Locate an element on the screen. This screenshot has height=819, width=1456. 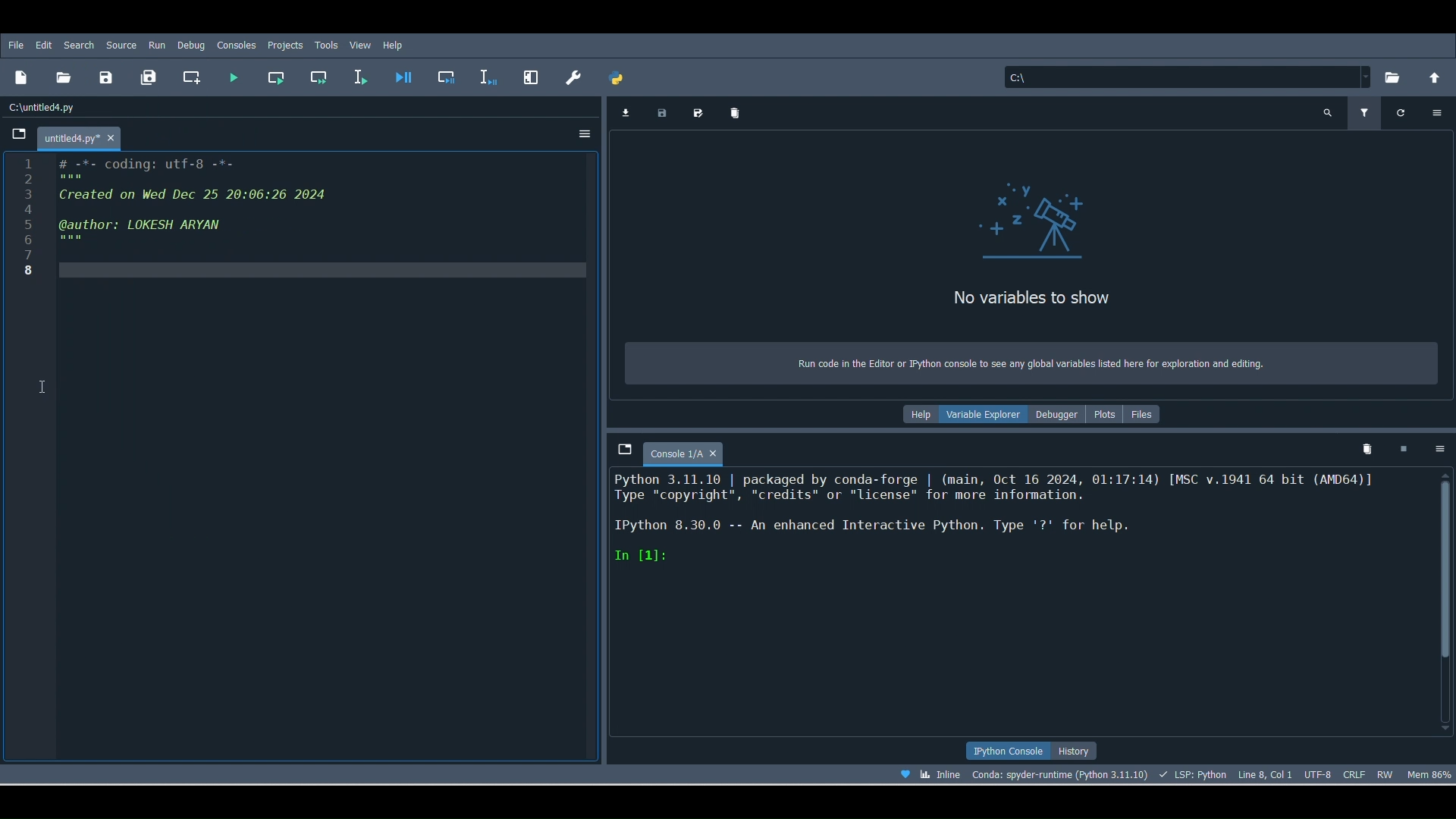
Interrupt kernel is located at coordinates (1407, 448).